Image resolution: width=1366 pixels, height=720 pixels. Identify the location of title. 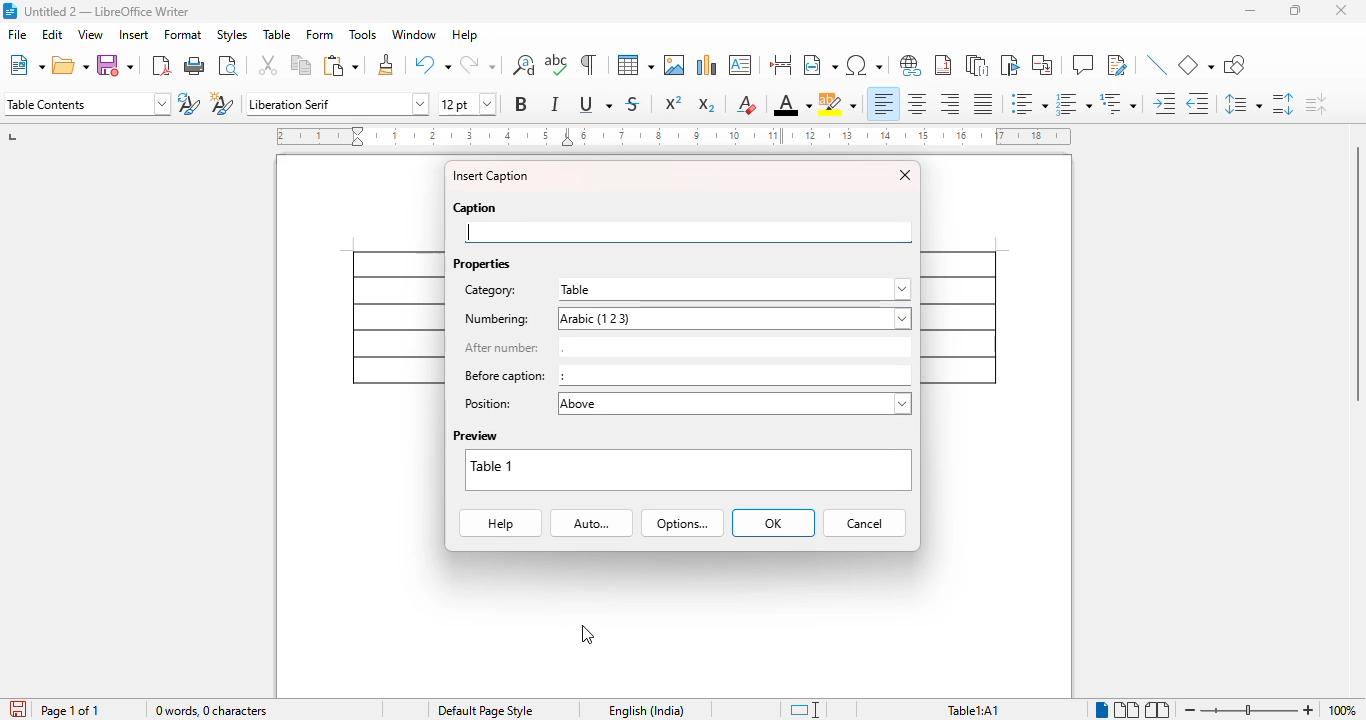
(107, 12).